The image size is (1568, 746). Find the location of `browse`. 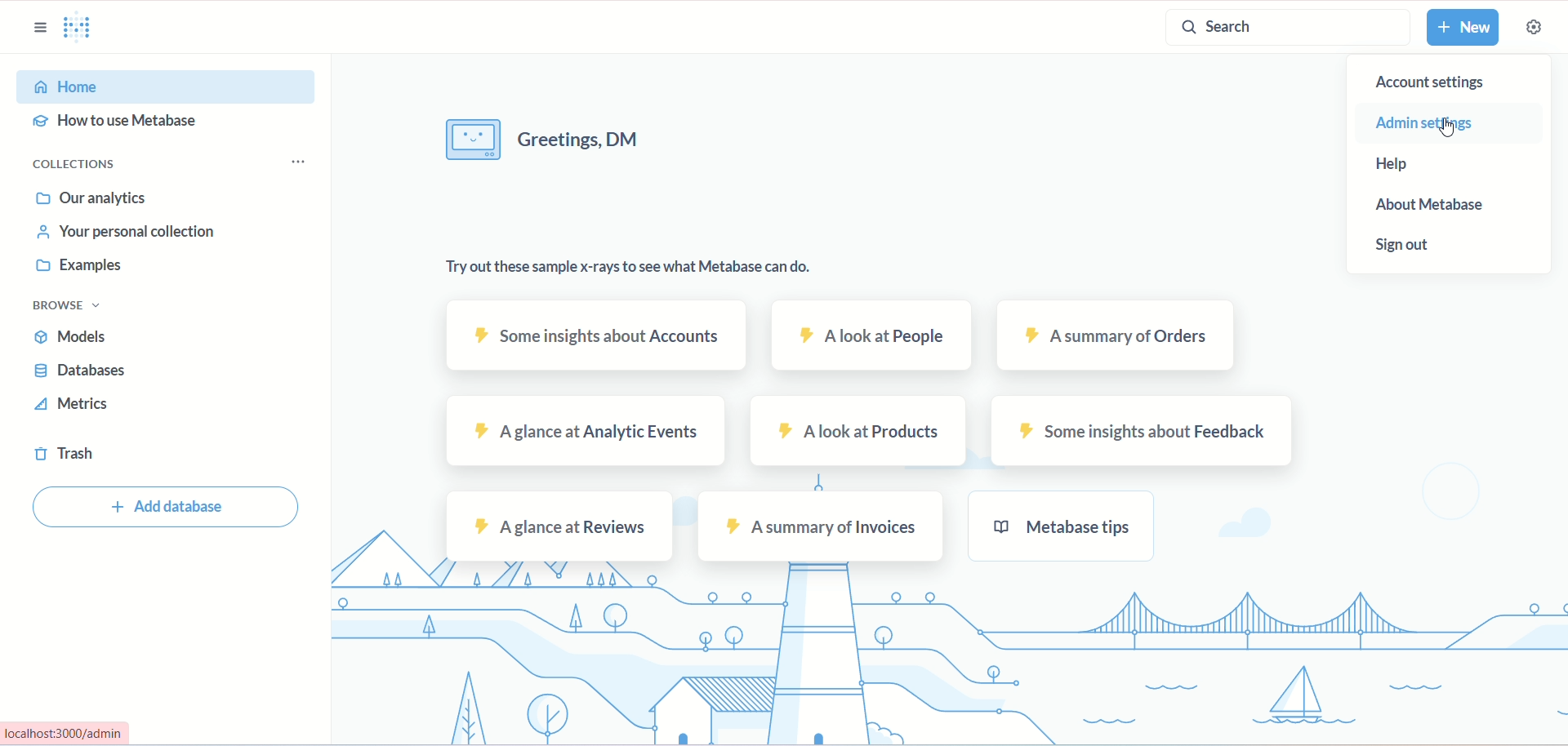

browse is located at coordinates (68, 306).